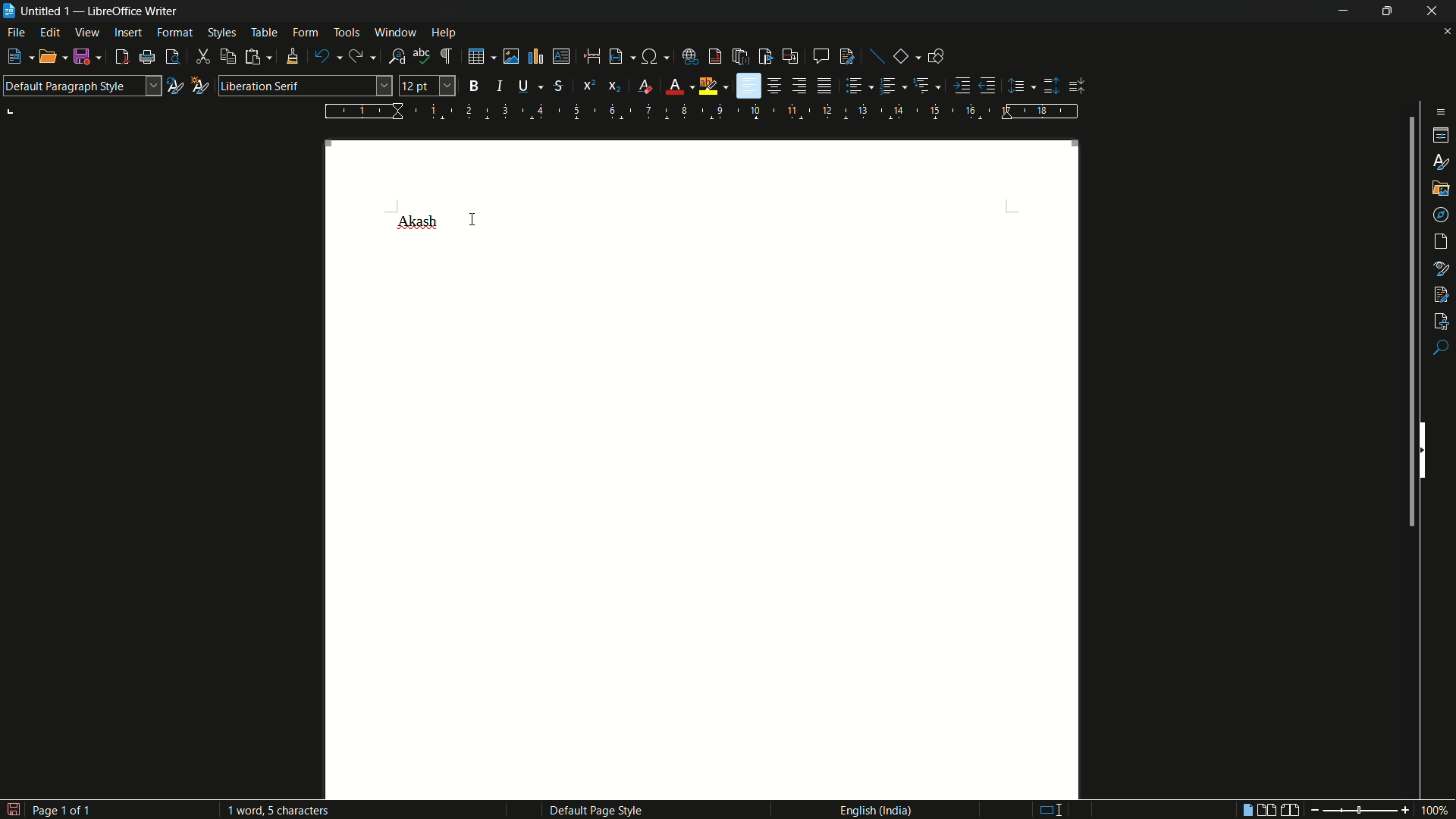 The width and height of the screenshot is (1456, 819). Describe the element at coordinates (203, 58) in the screenshot. I see `cut` at that location.